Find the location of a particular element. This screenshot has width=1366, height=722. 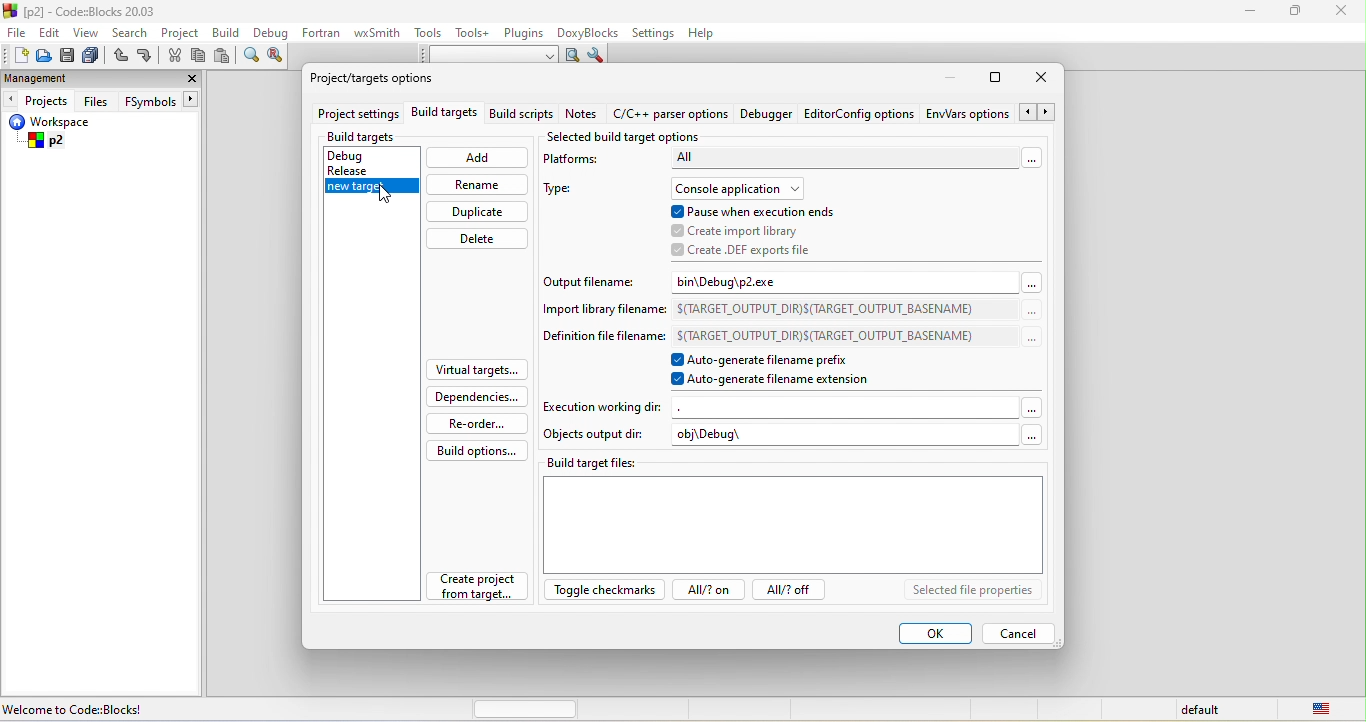

horizontal scroll bar is located at coordinates (526, 709).